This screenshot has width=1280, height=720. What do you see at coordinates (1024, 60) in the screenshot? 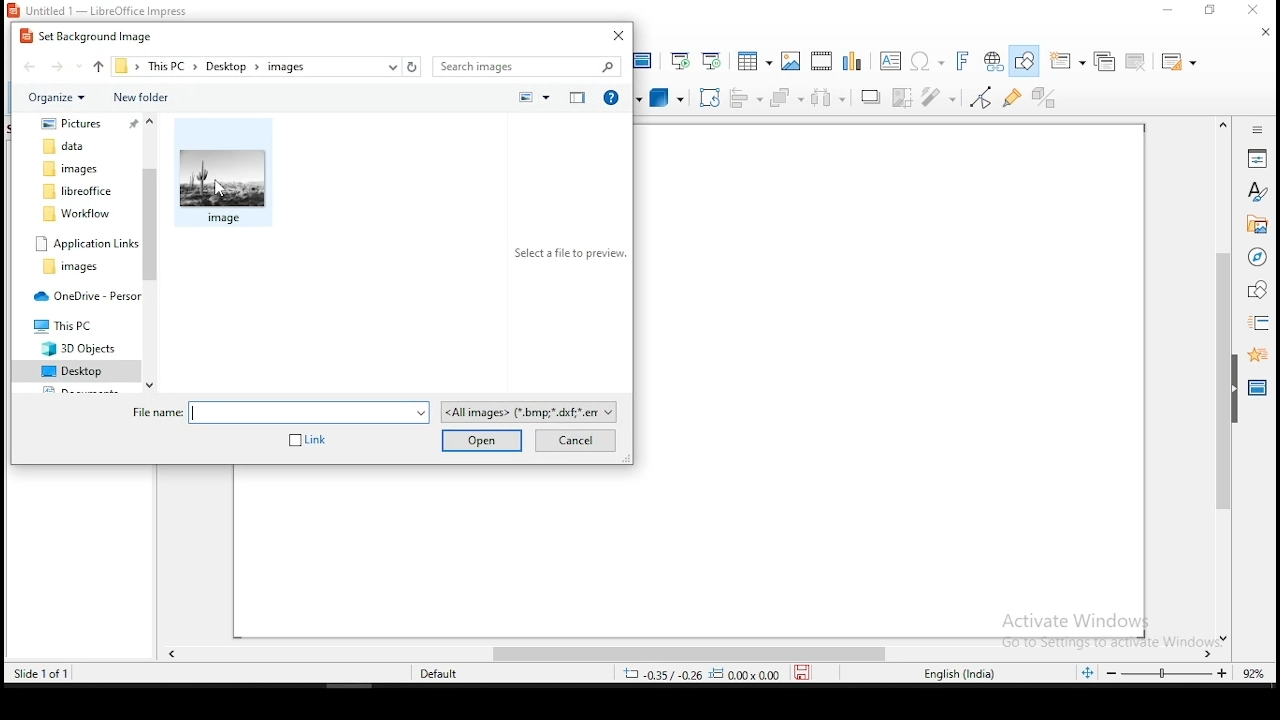
I see `show draw functions` at bounding box center [1024, 60].